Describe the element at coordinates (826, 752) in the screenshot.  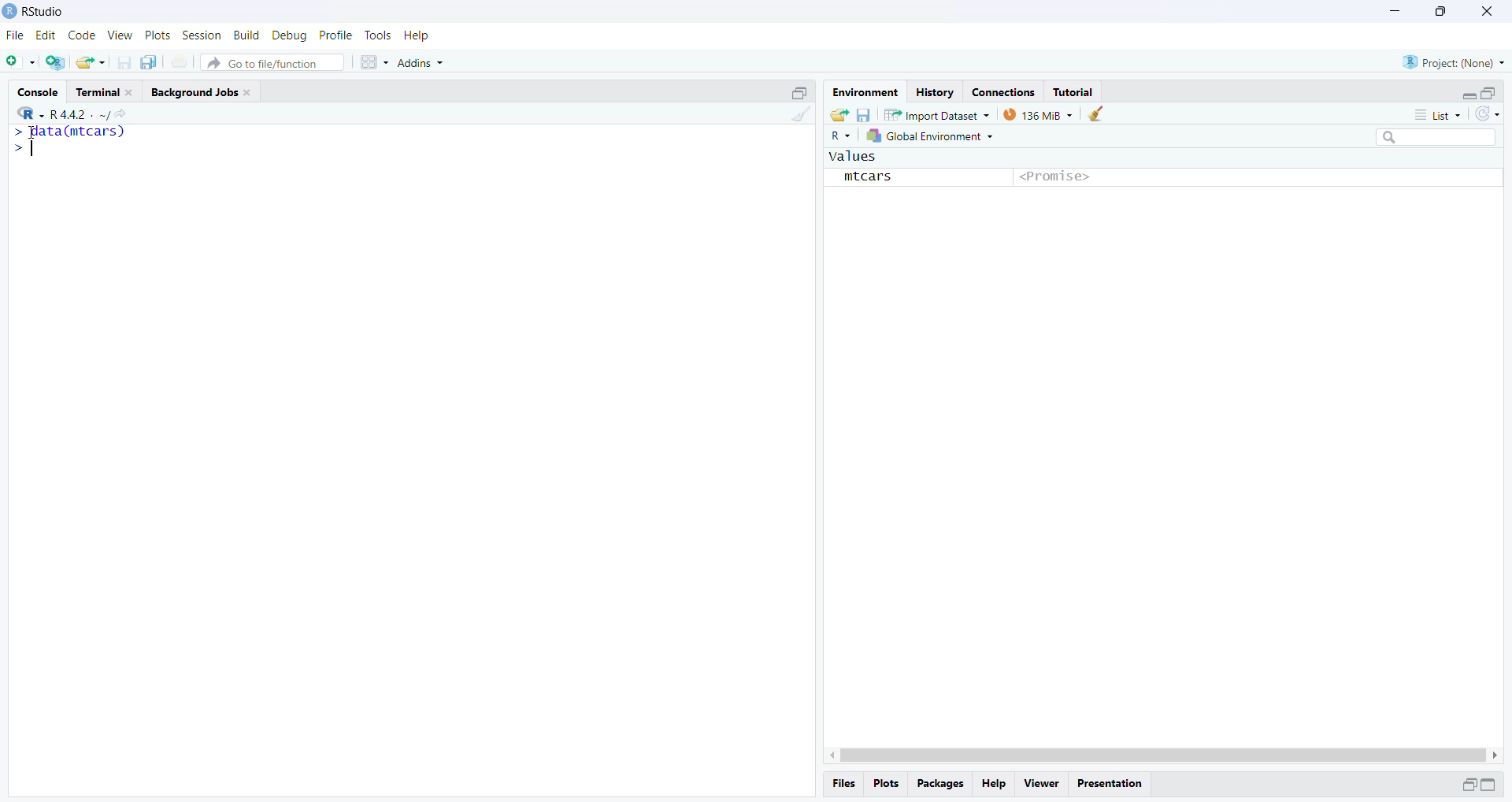
I see `Left` at that location.